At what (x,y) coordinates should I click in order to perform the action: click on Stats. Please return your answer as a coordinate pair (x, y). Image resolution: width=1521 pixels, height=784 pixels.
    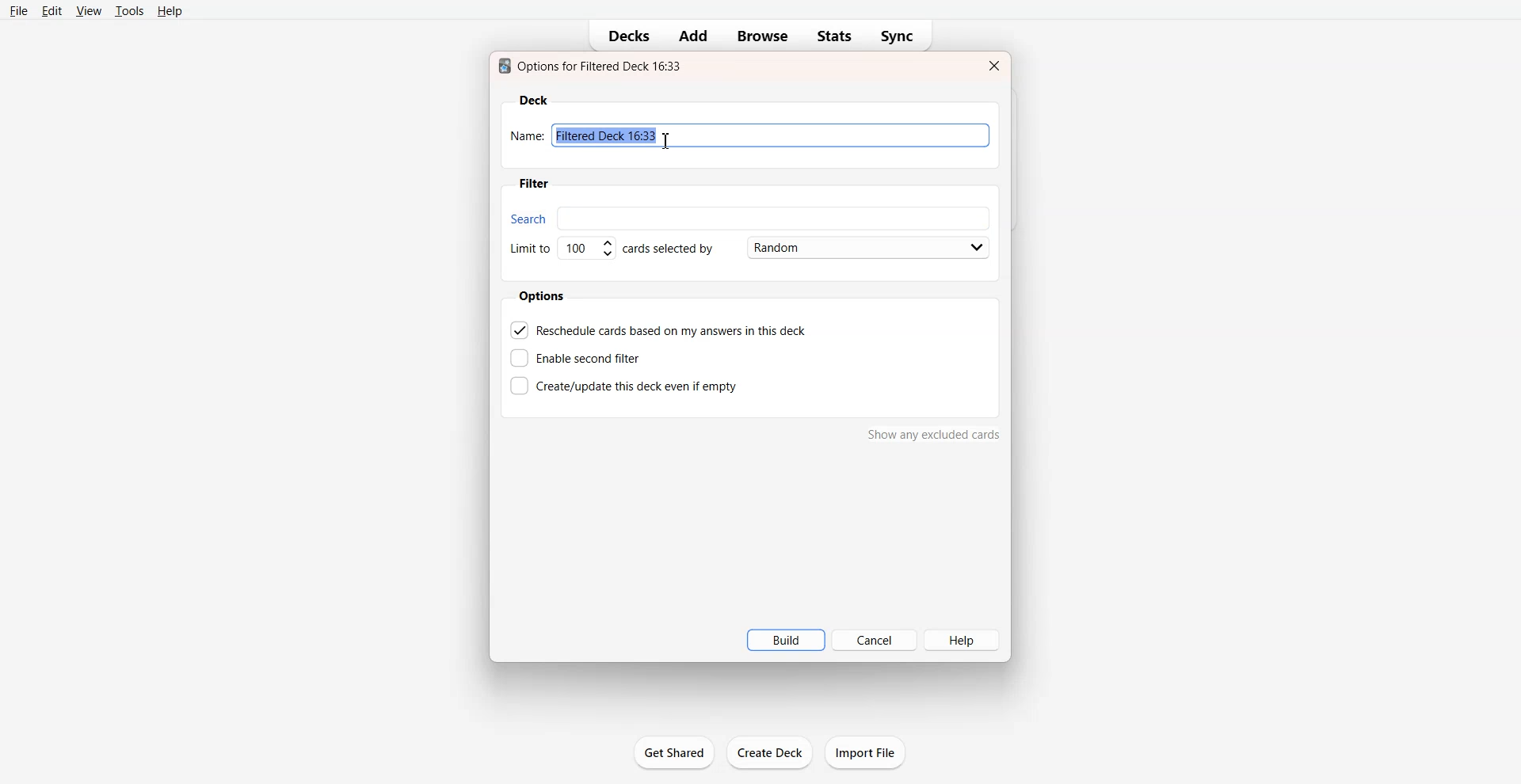
    Looking at the image, I should click on (834, 36).